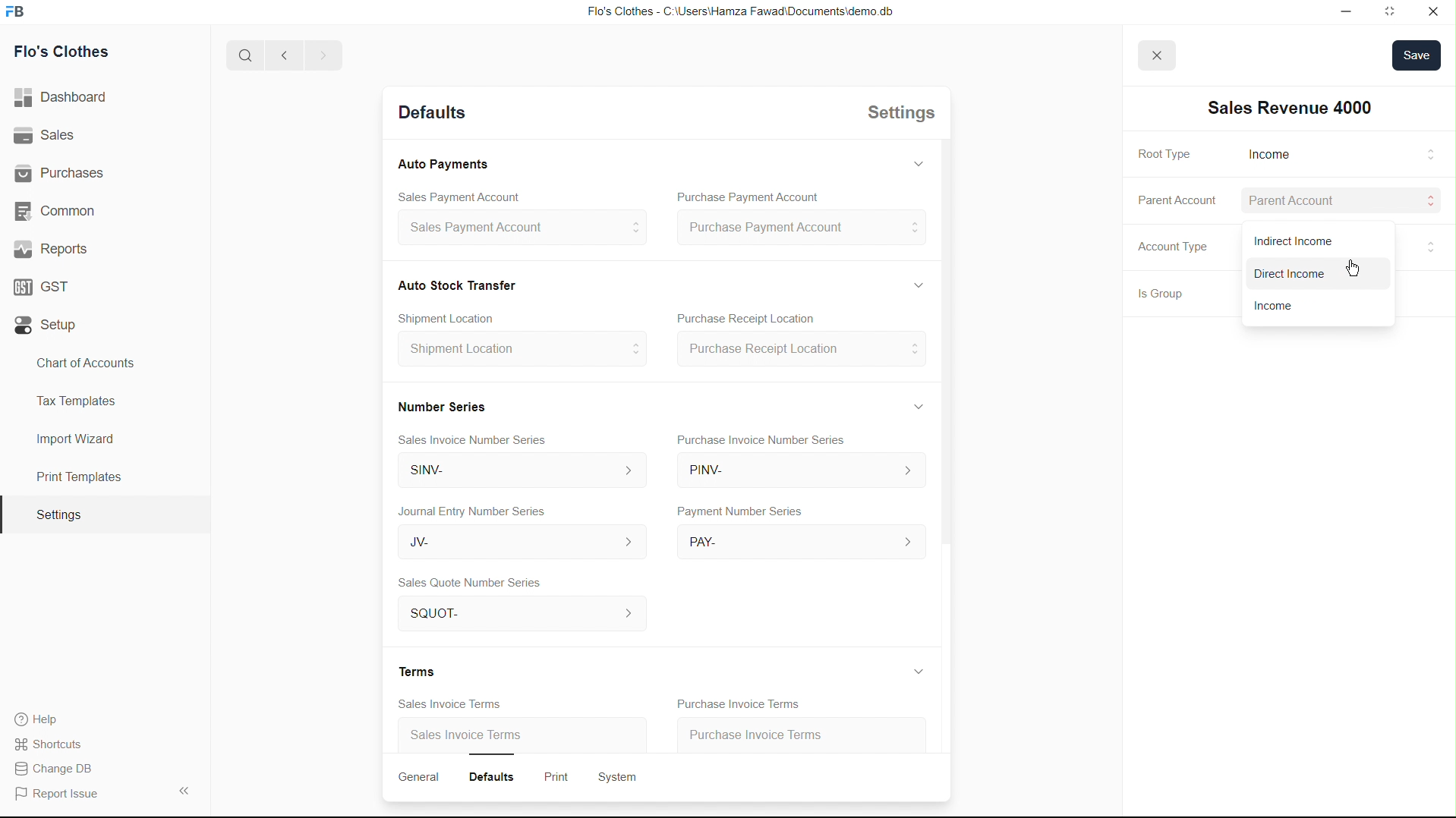 The image size is (1456, 818). What do you see at coordinates (43, 719) in the screenshot?
I see `Help` at bounding box center [43, 719].